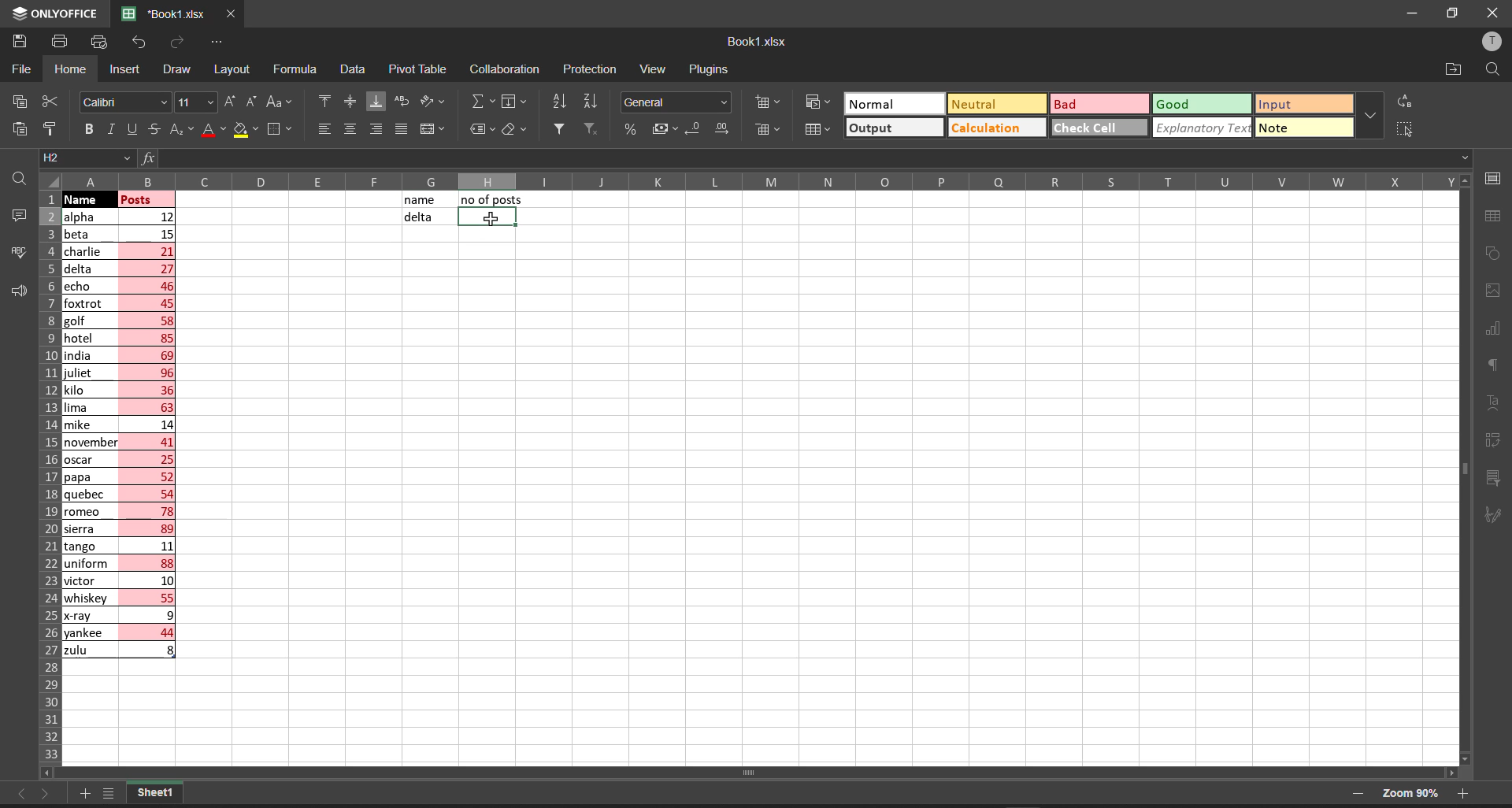 This screenshot has width=1512, height=808. Describe the element at coordinates (491, 218) in the screenshot. I see `cursor` at that location.